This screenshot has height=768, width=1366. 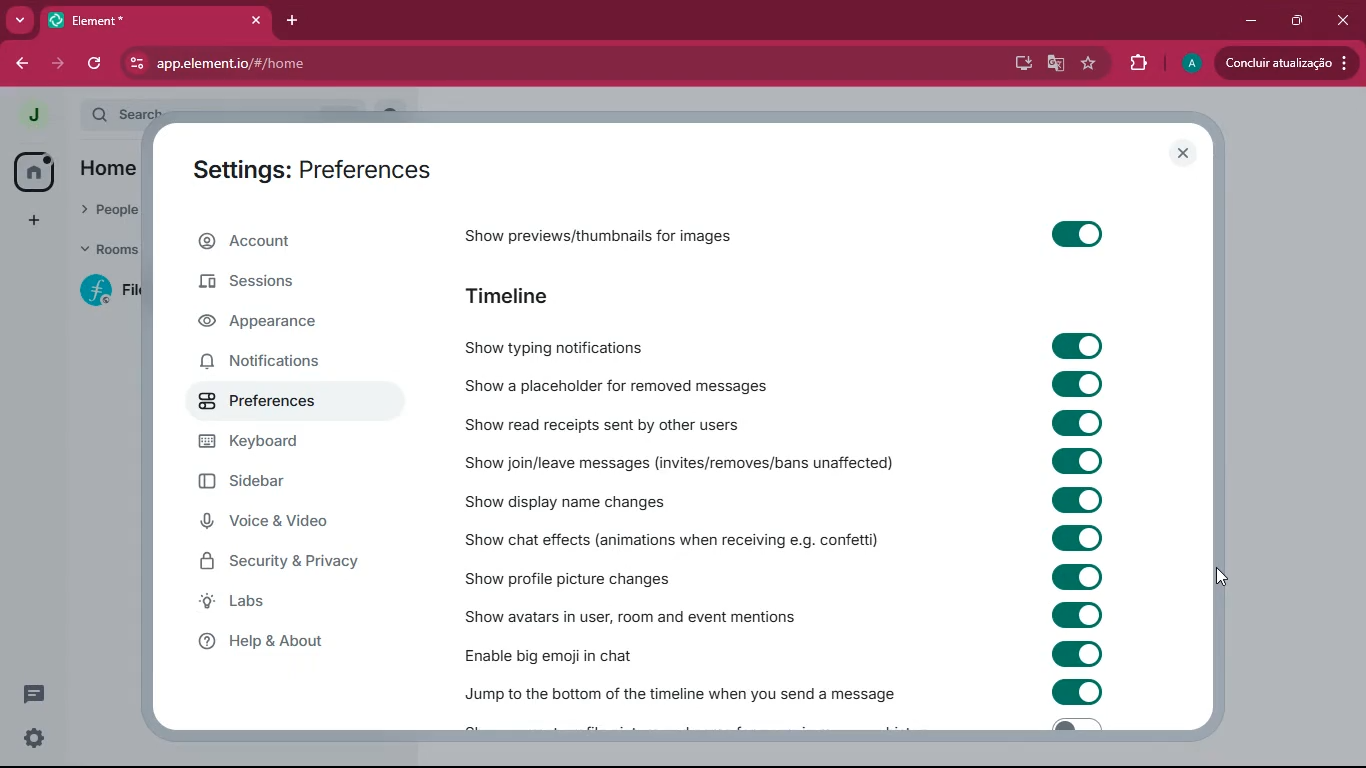 What do you see at coordinates (1299, 20) in the screenshot?
I see `restore down ` at bounding box center [1299, 20].